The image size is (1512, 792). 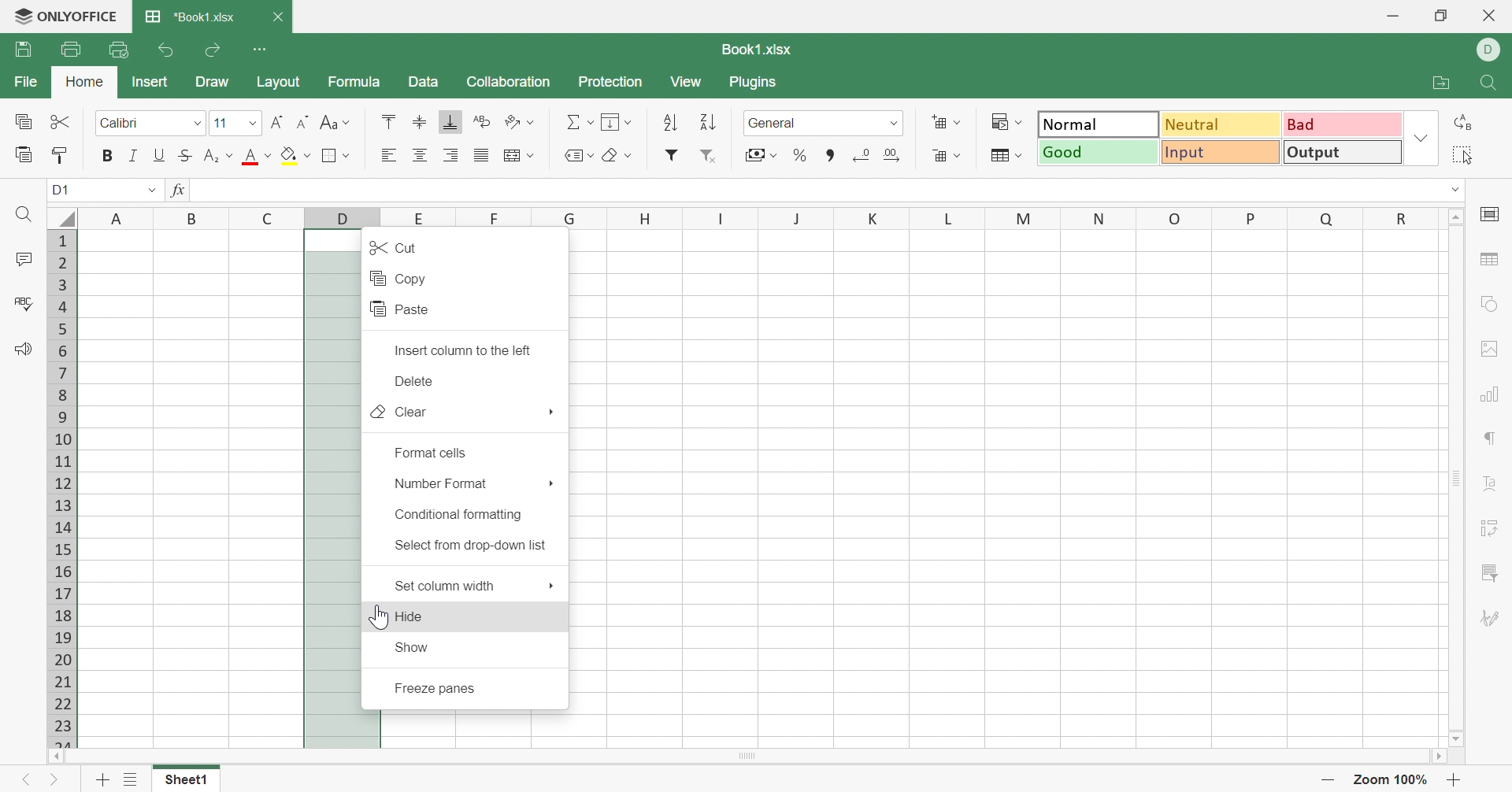 What do you see at coordinates (55, 756) in the screenshot?
I see `Scroll Left` at bounding box center [55, 756].